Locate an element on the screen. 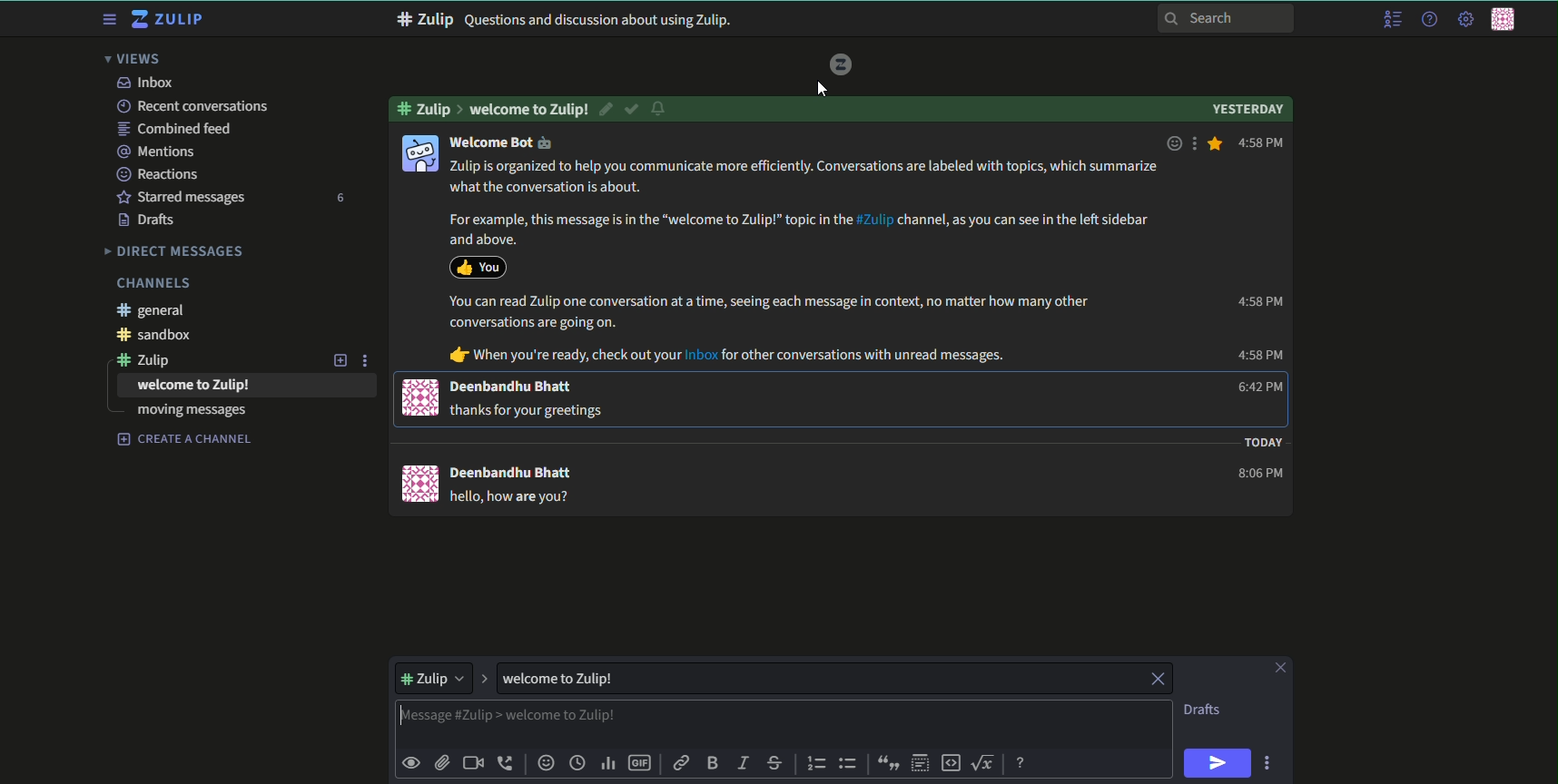 The width and height of the screenshot is (1558, 784). create a channel is located at coordinates (185, 439).